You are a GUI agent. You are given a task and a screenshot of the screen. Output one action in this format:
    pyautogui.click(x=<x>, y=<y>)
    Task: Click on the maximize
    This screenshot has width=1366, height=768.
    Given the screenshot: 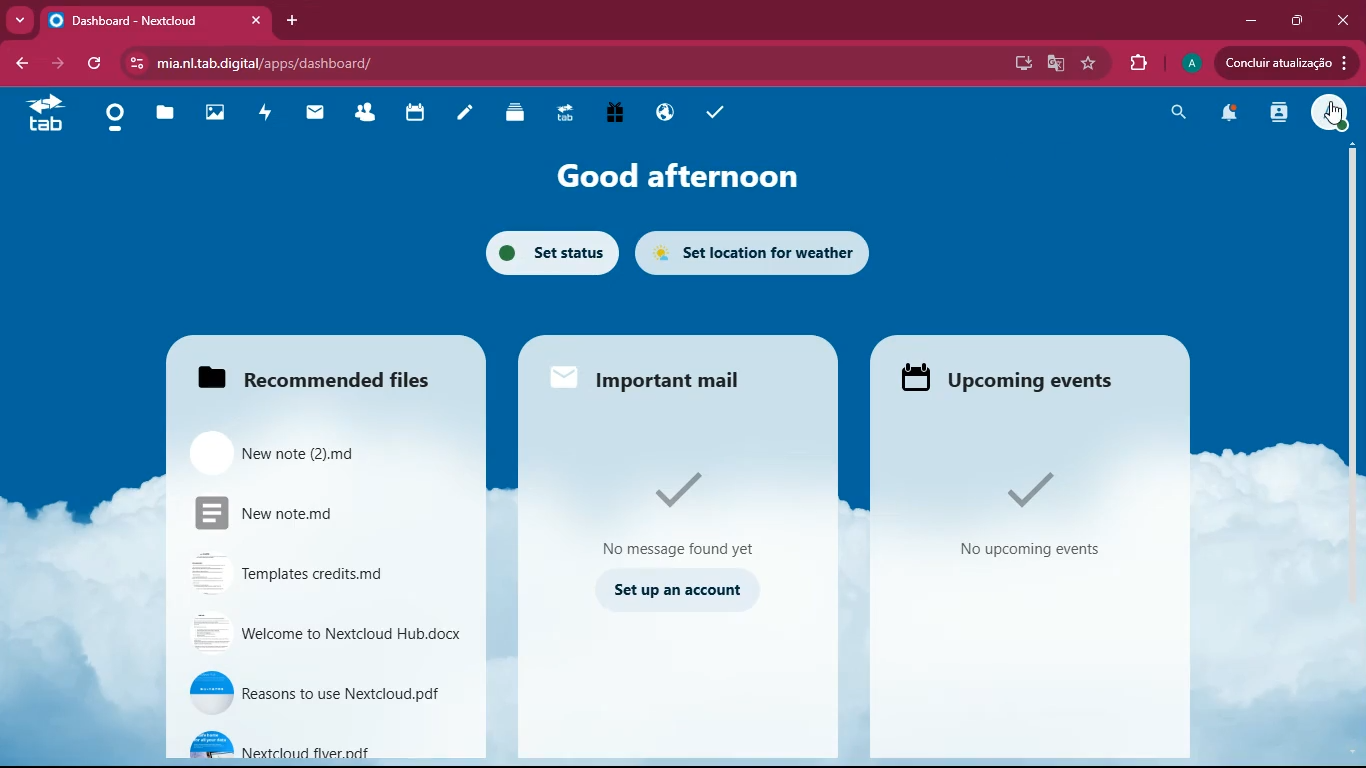 What is the action you would take?
    pyautogui.click(x=1296, y=21)
    